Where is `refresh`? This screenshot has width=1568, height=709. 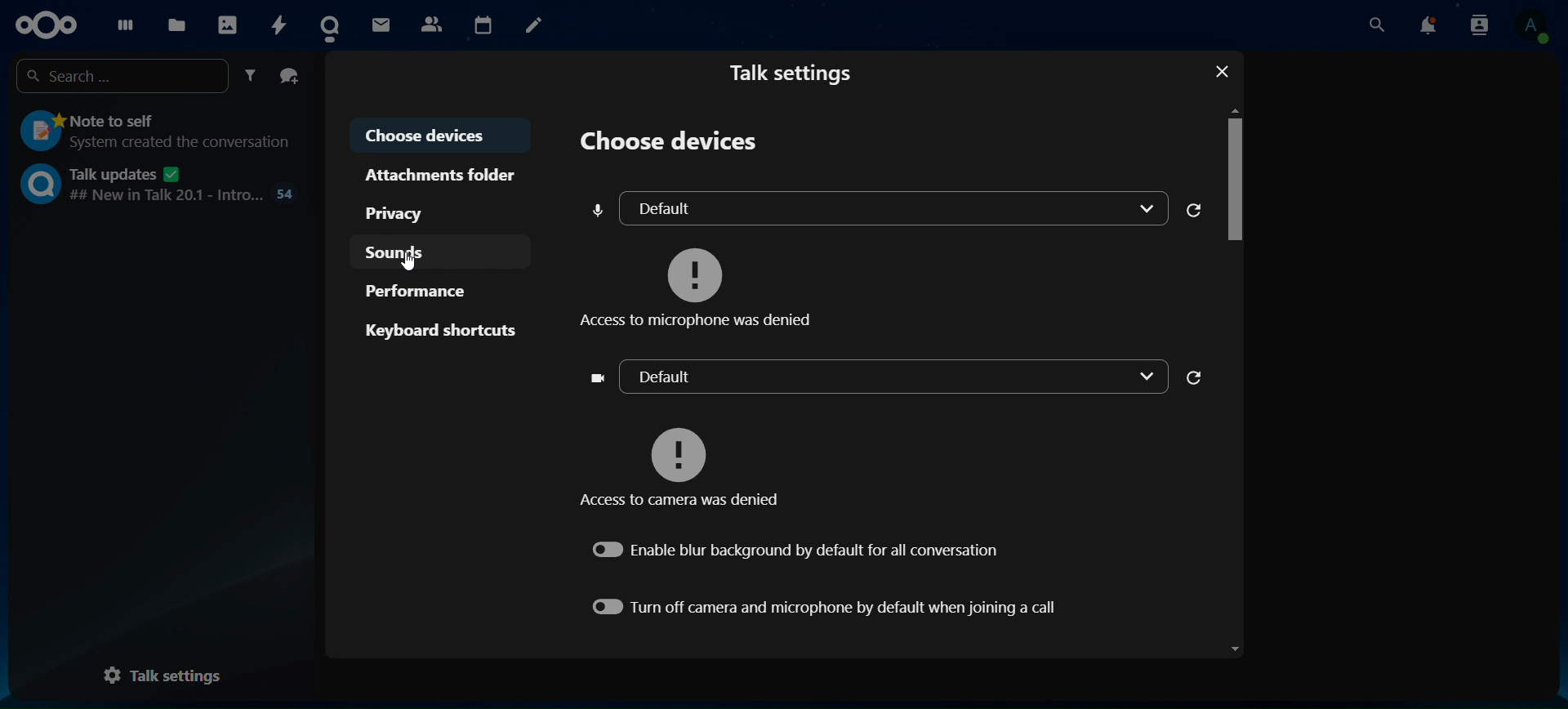
refresh is located at coordinates (1193, 378).